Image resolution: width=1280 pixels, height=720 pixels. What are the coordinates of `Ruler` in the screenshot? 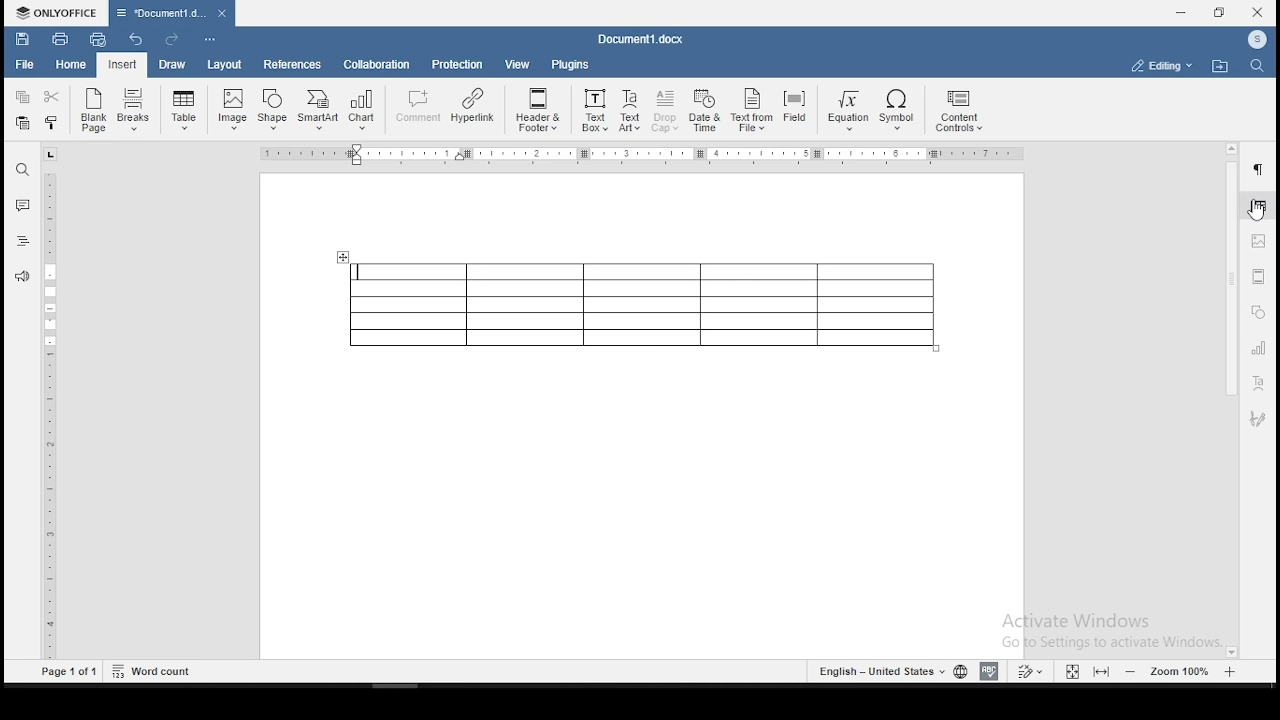 It's located at (647, 154).